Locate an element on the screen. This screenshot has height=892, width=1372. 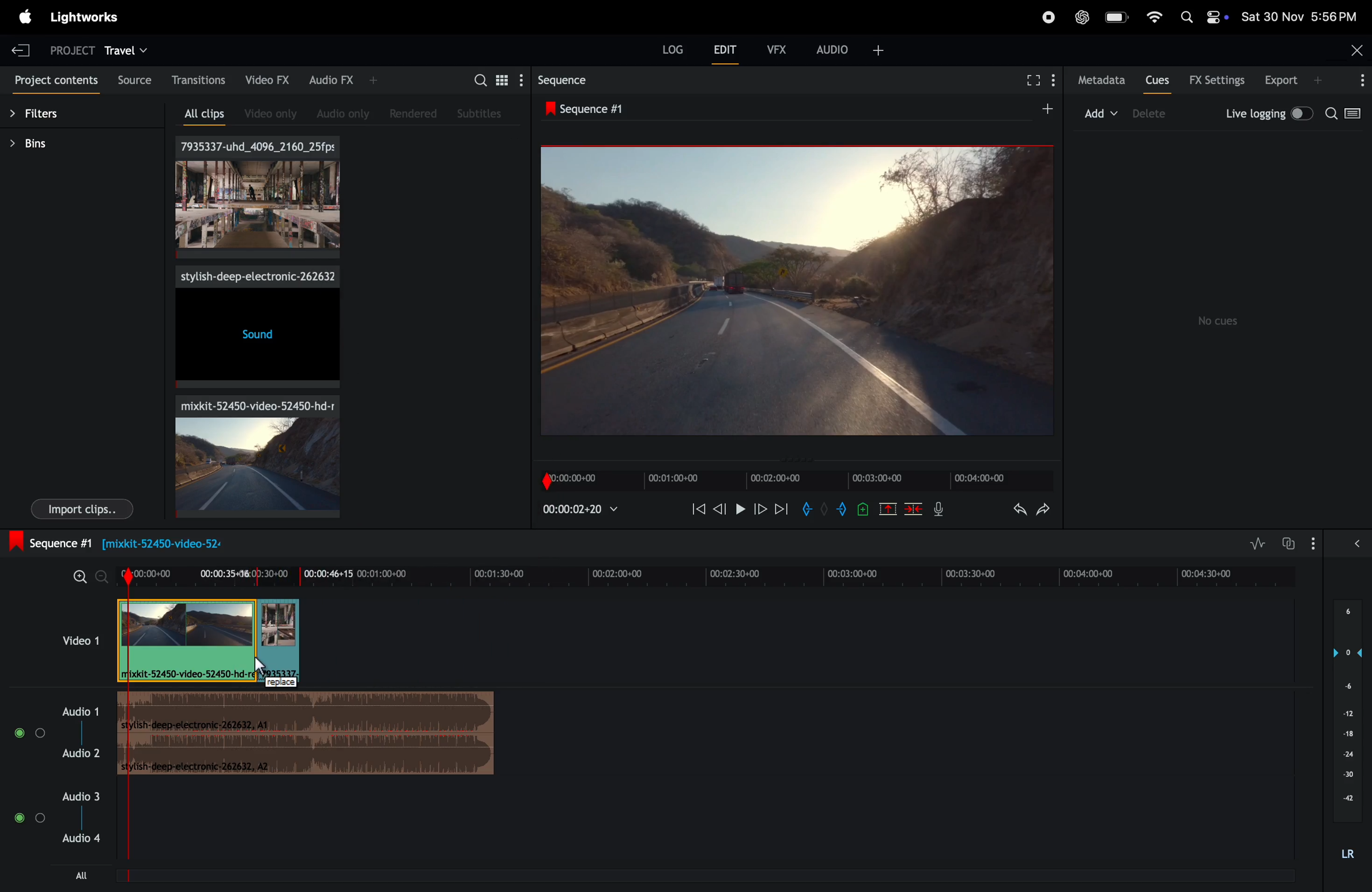
cut is located at coordinates (887, 509).